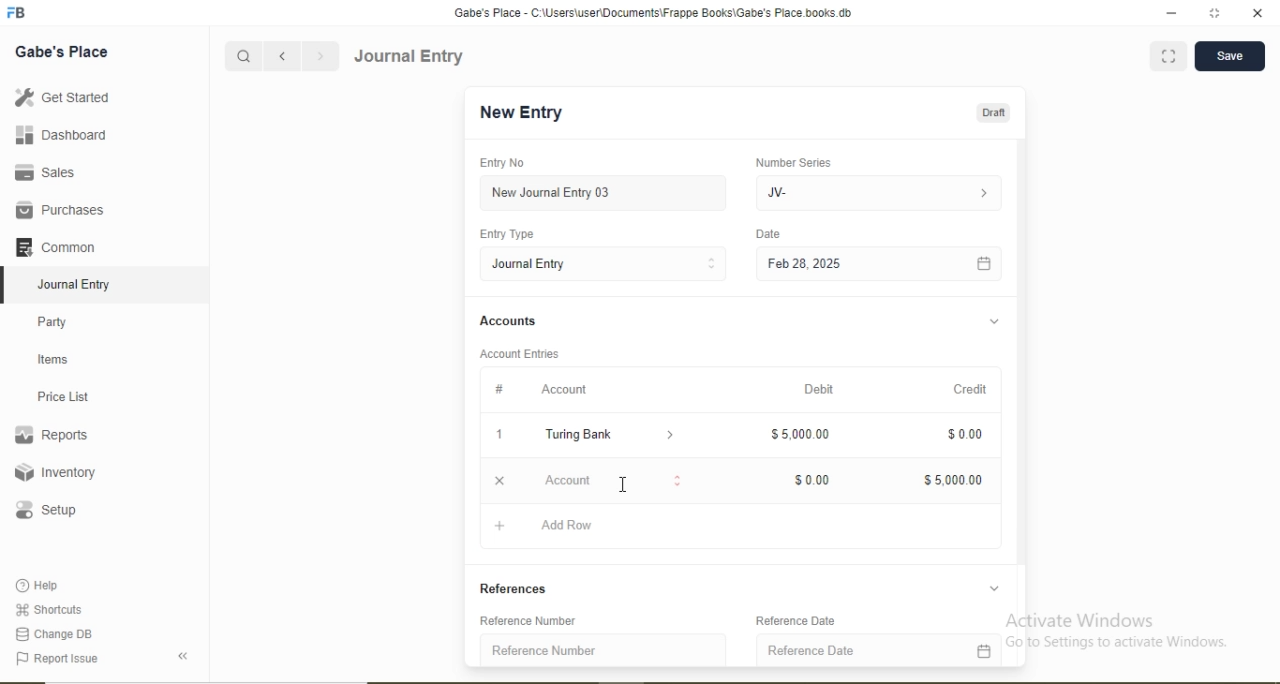 The height and width of the screenshot is (684, 1280). What do you see at coordinates (529, 620) in the screenshot?
I see `Reference Number` at bounding box center [529, 620].